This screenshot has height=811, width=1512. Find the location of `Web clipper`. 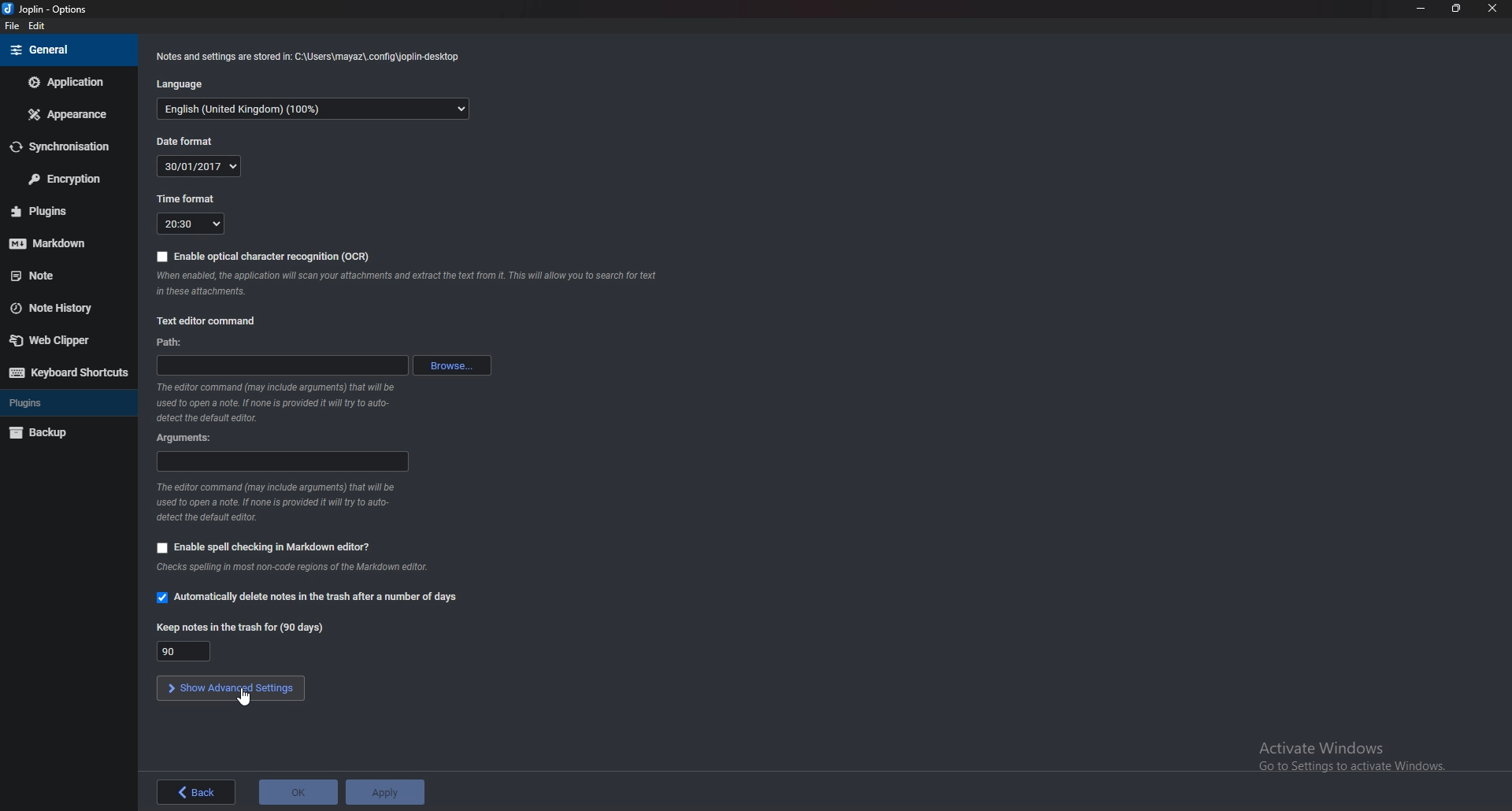

Web clipper is located at coordinates (59, 340).